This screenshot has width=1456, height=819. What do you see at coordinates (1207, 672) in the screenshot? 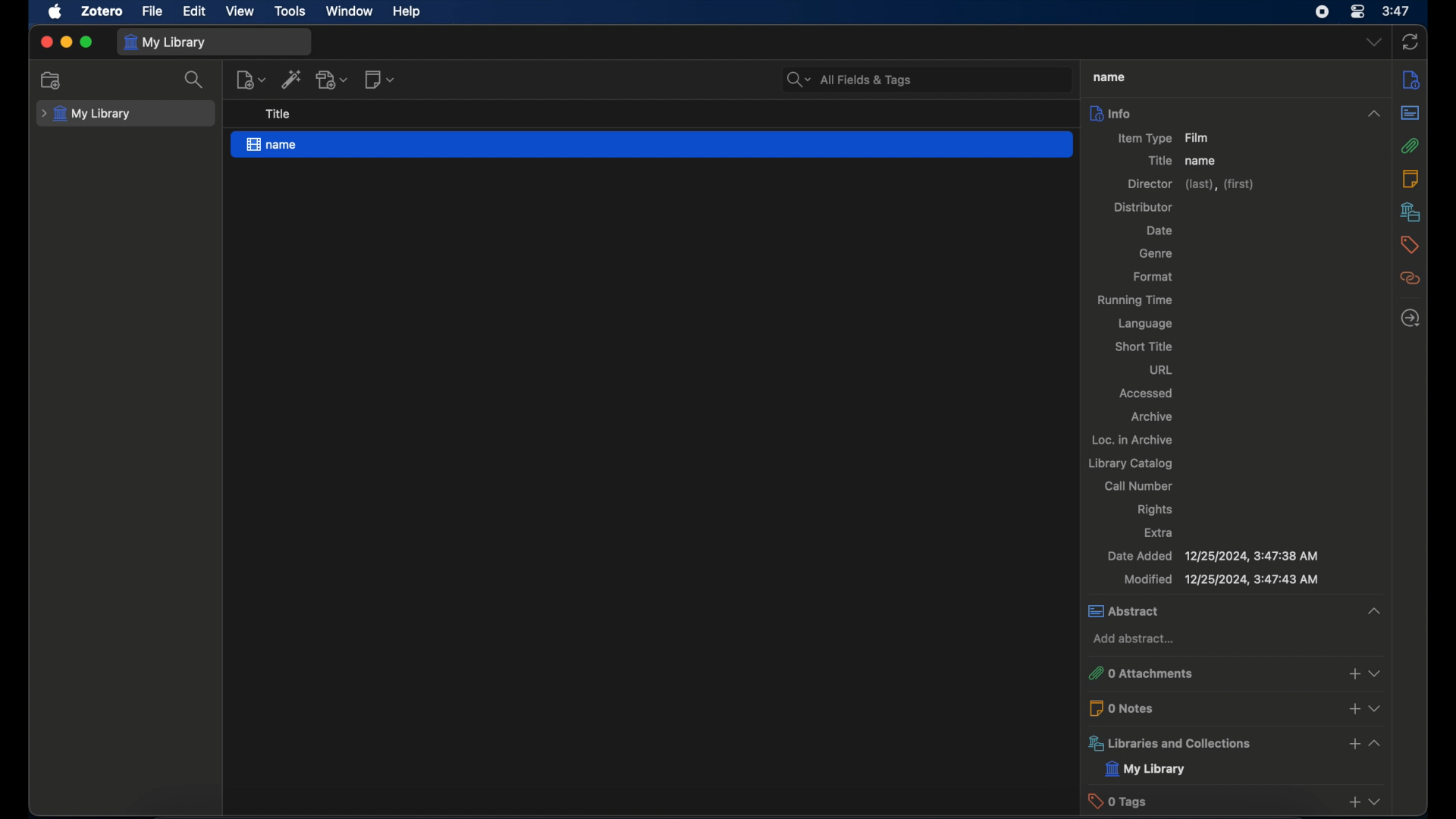
I see `0 attachments` at bounding box center [1207, 672].